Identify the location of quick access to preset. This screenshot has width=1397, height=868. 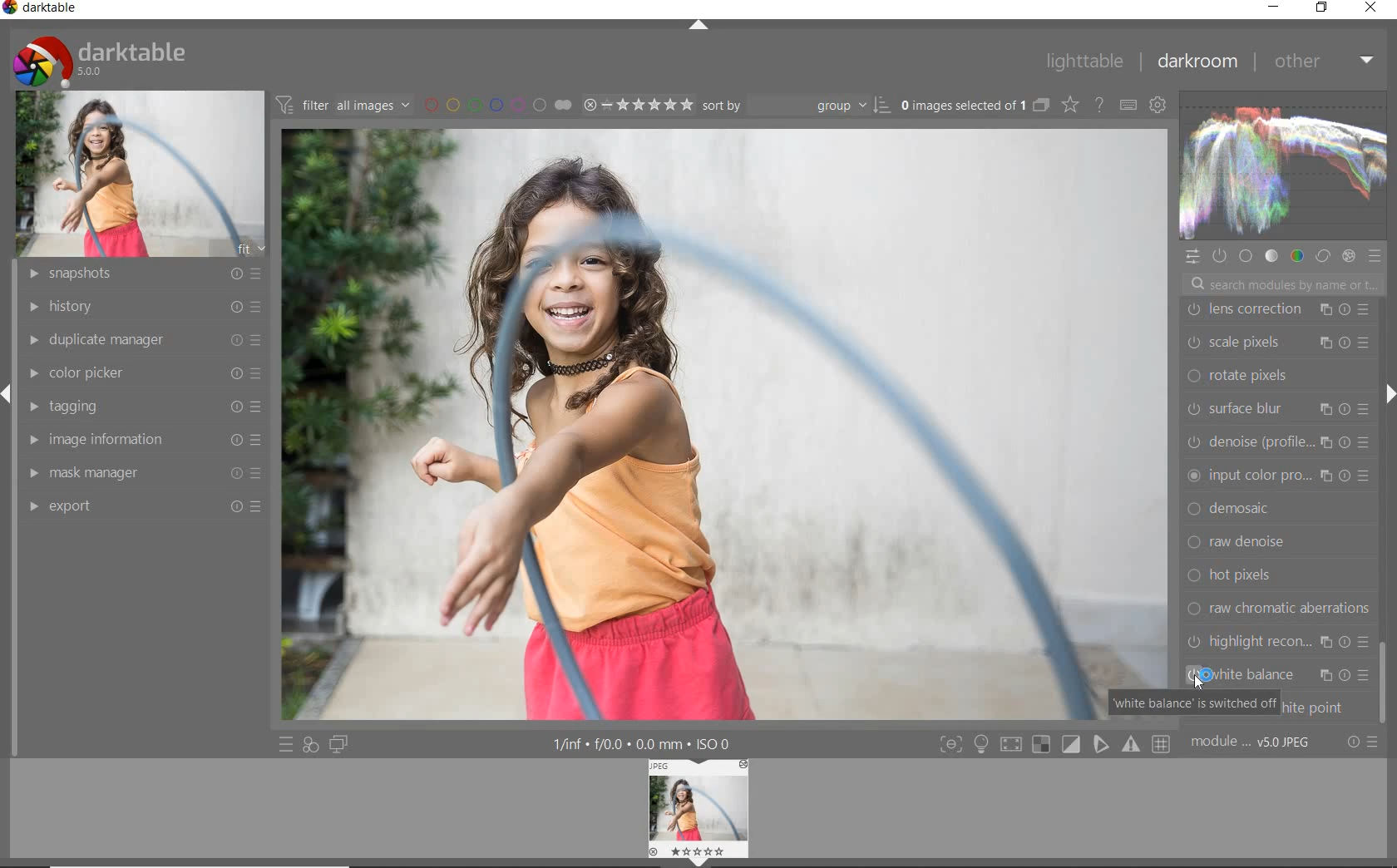
(286, 743).